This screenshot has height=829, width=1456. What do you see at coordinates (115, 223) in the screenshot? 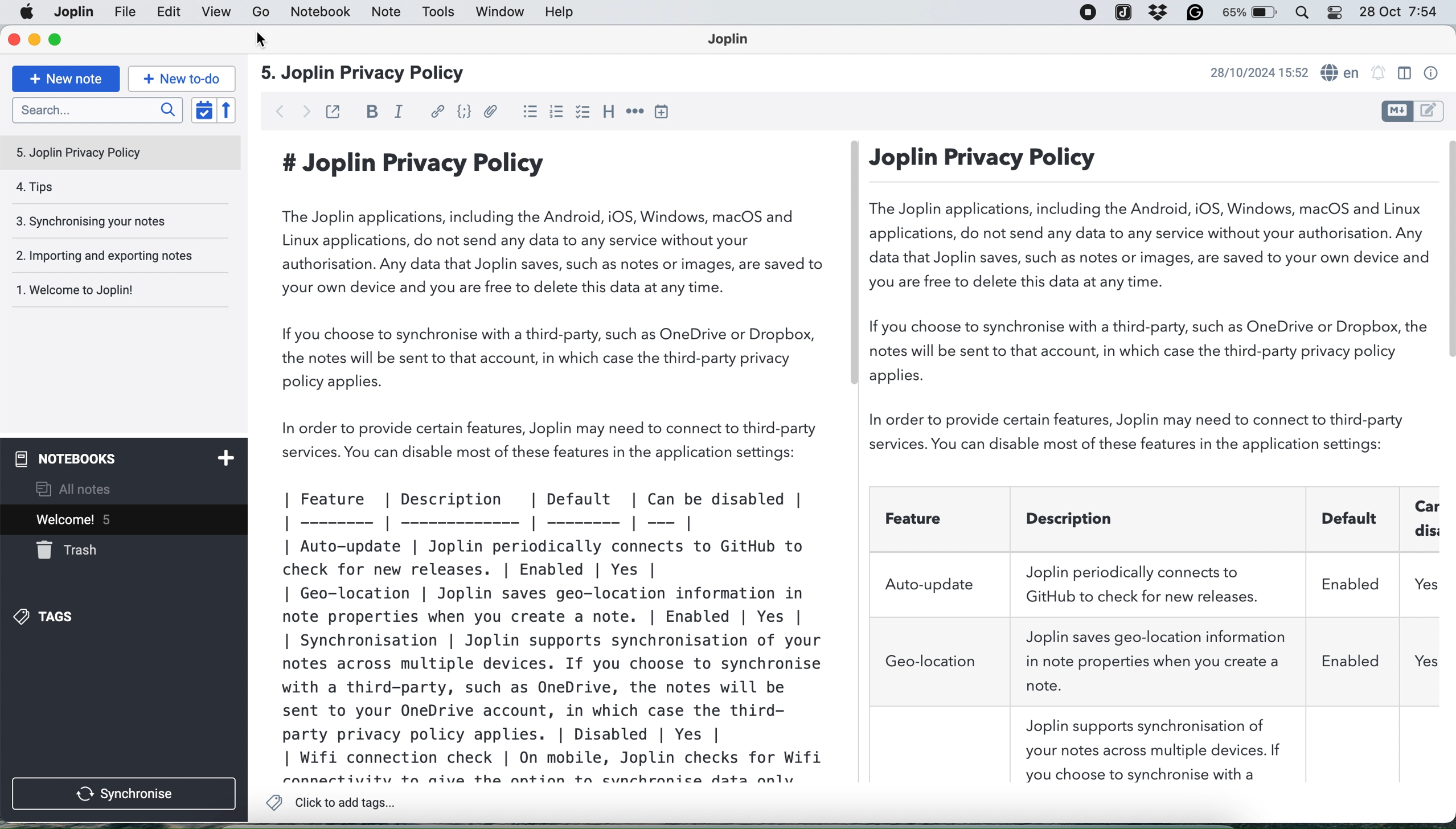
I see `3. Synchronising your notes` at bounding box center [115, 223].